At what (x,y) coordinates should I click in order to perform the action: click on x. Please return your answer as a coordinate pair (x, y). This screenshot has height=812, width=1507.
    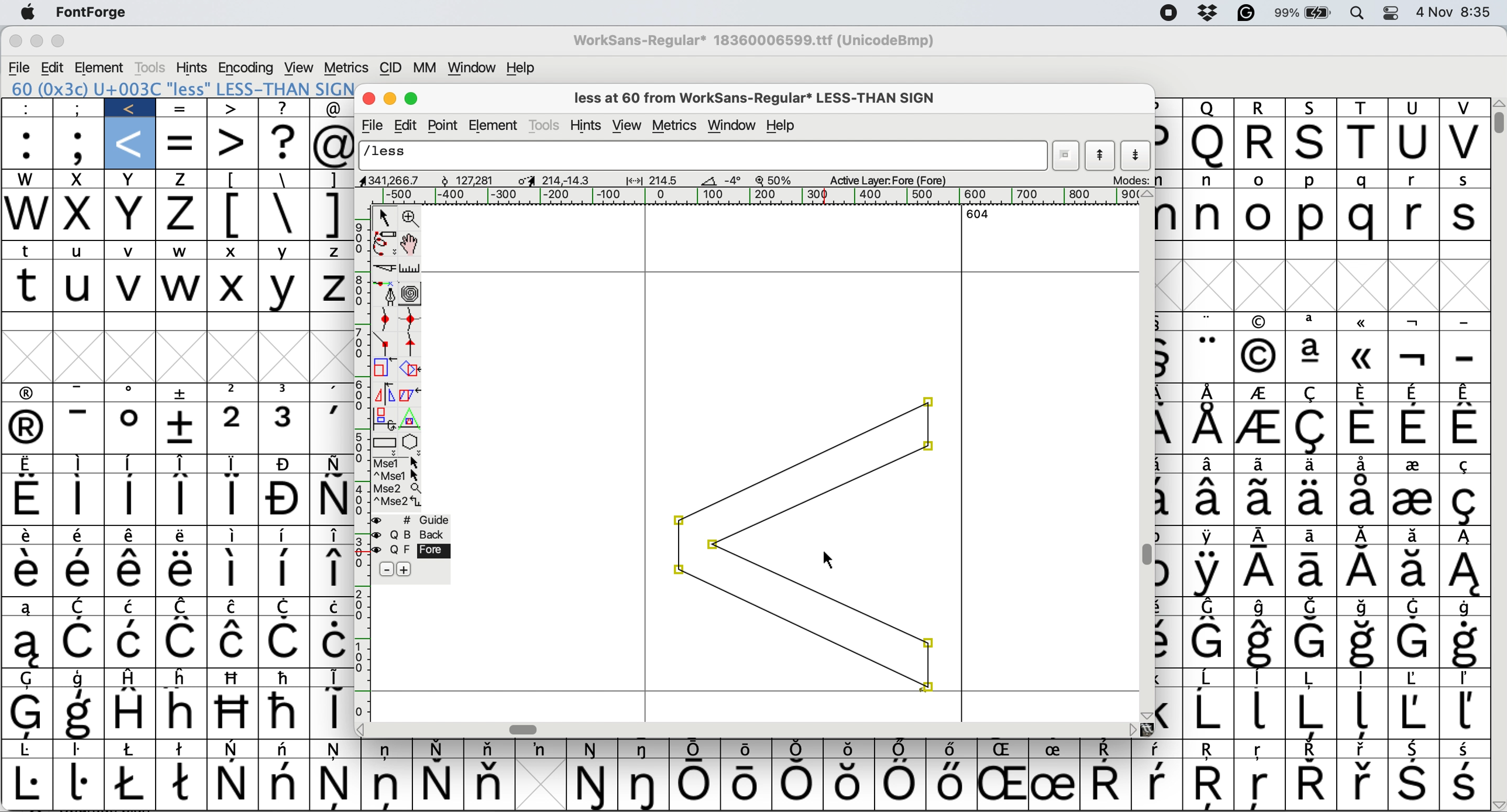
    Looking at the image, I should click on (80, 180).